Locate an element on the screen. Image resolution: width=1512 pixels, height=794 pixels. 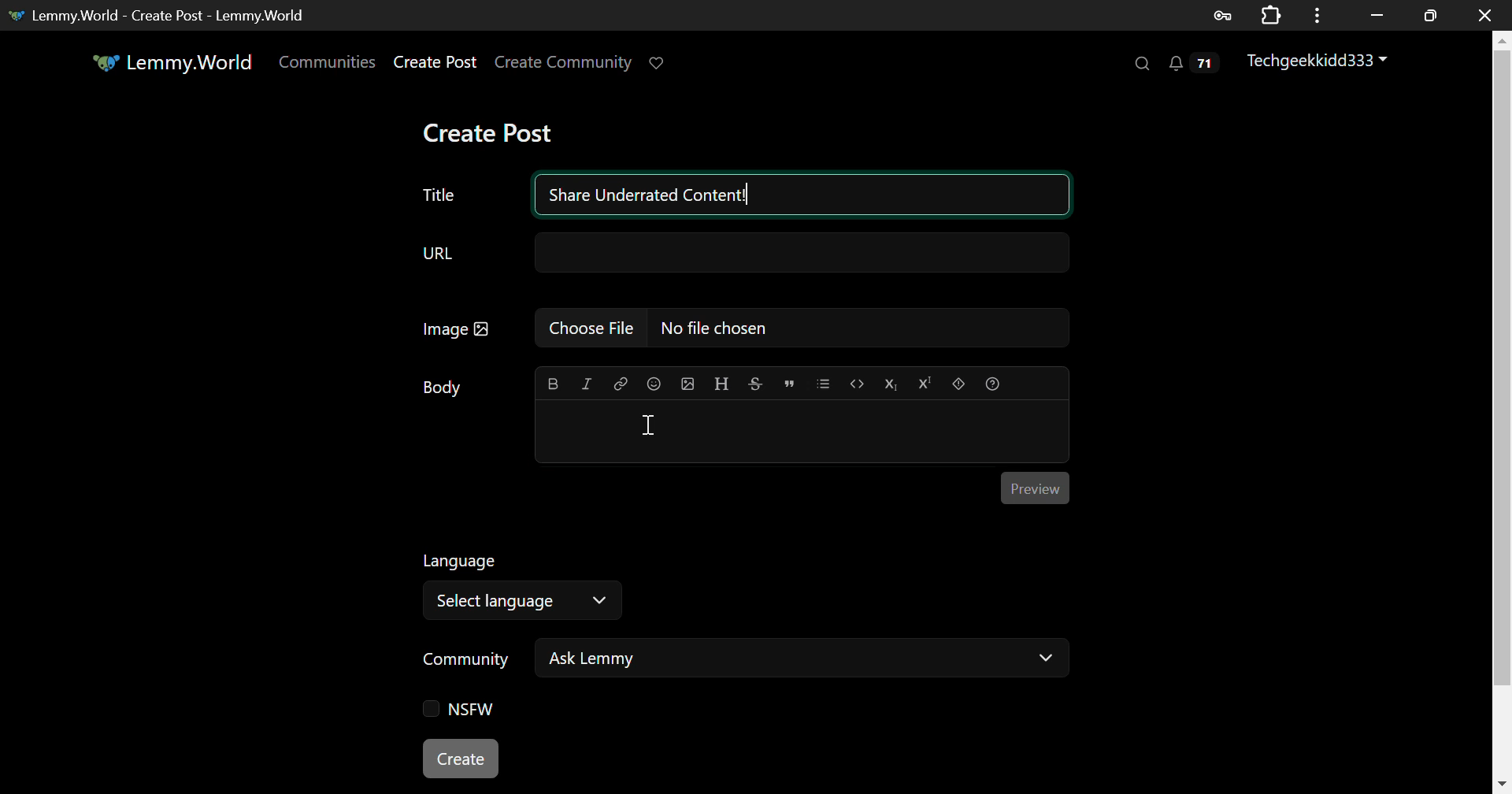
Create Post is located at coordinates (487, 132).